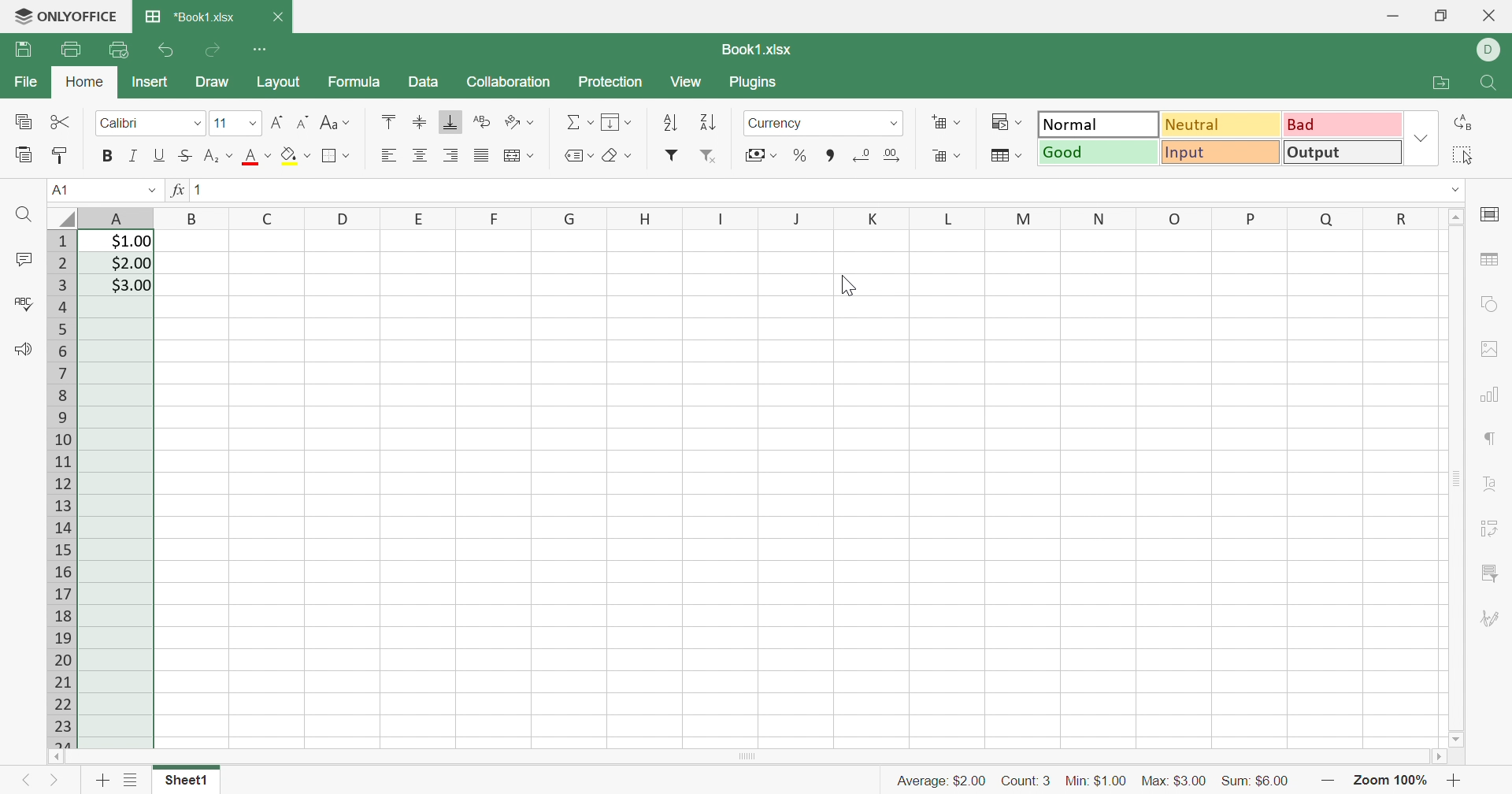 This screenshot has width=1512, height=794. I want to click on Increment size, so click(277, 123).